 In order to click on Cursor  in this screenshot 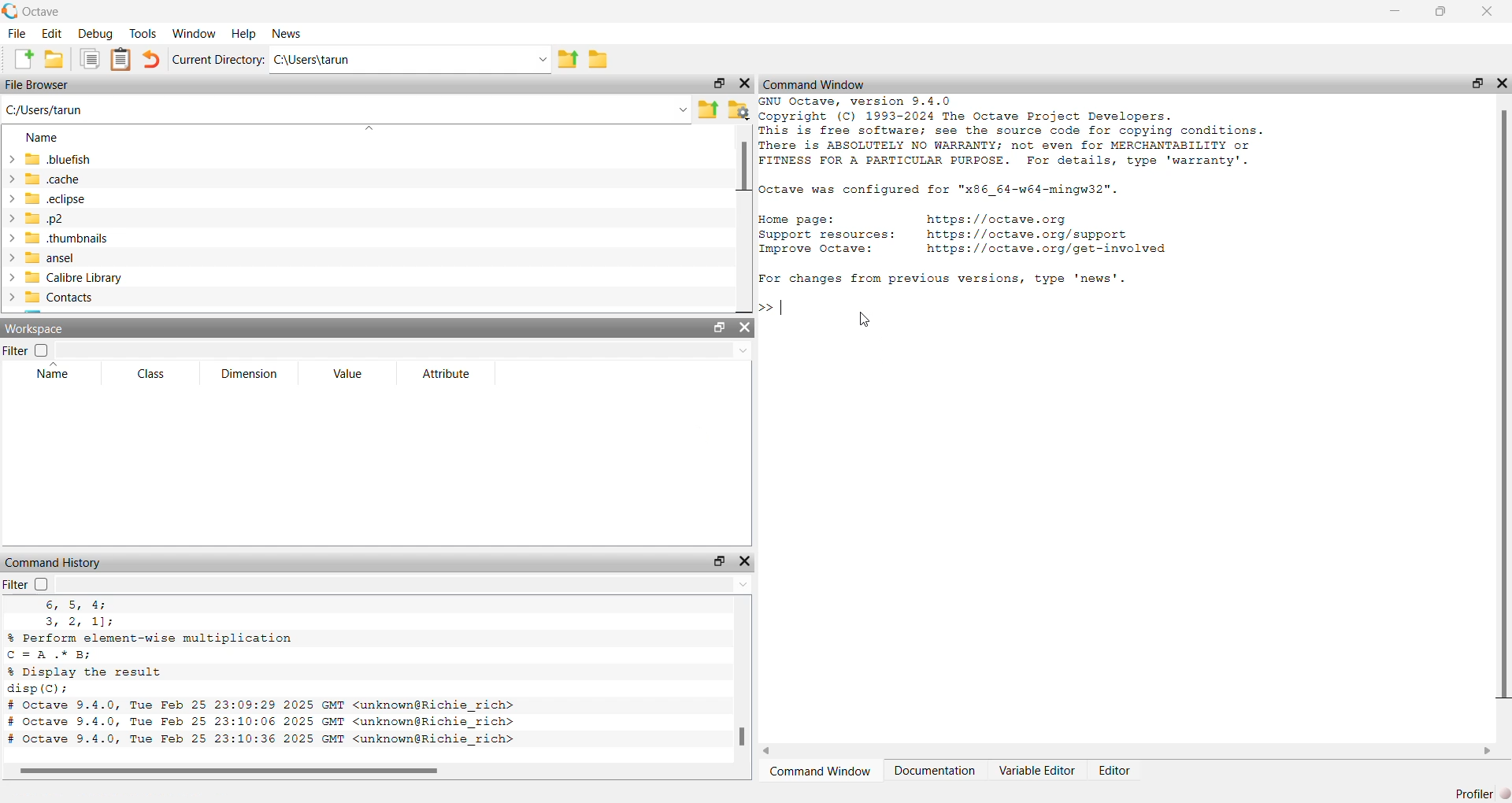, I will do `click(868, 318)`.